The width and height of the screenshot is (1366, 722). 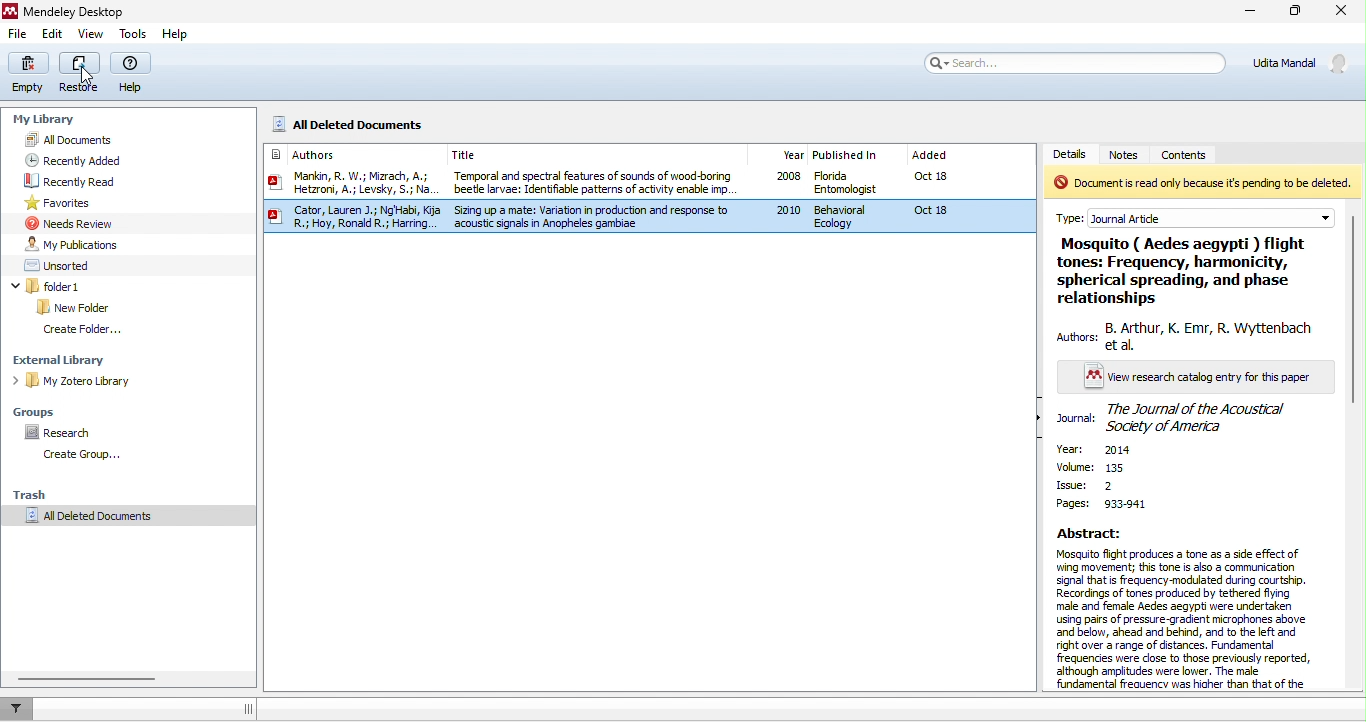 What do you see at coordinates (87, 139) in the screenshot?
I see `all documents` at bounding box center [87, 139].